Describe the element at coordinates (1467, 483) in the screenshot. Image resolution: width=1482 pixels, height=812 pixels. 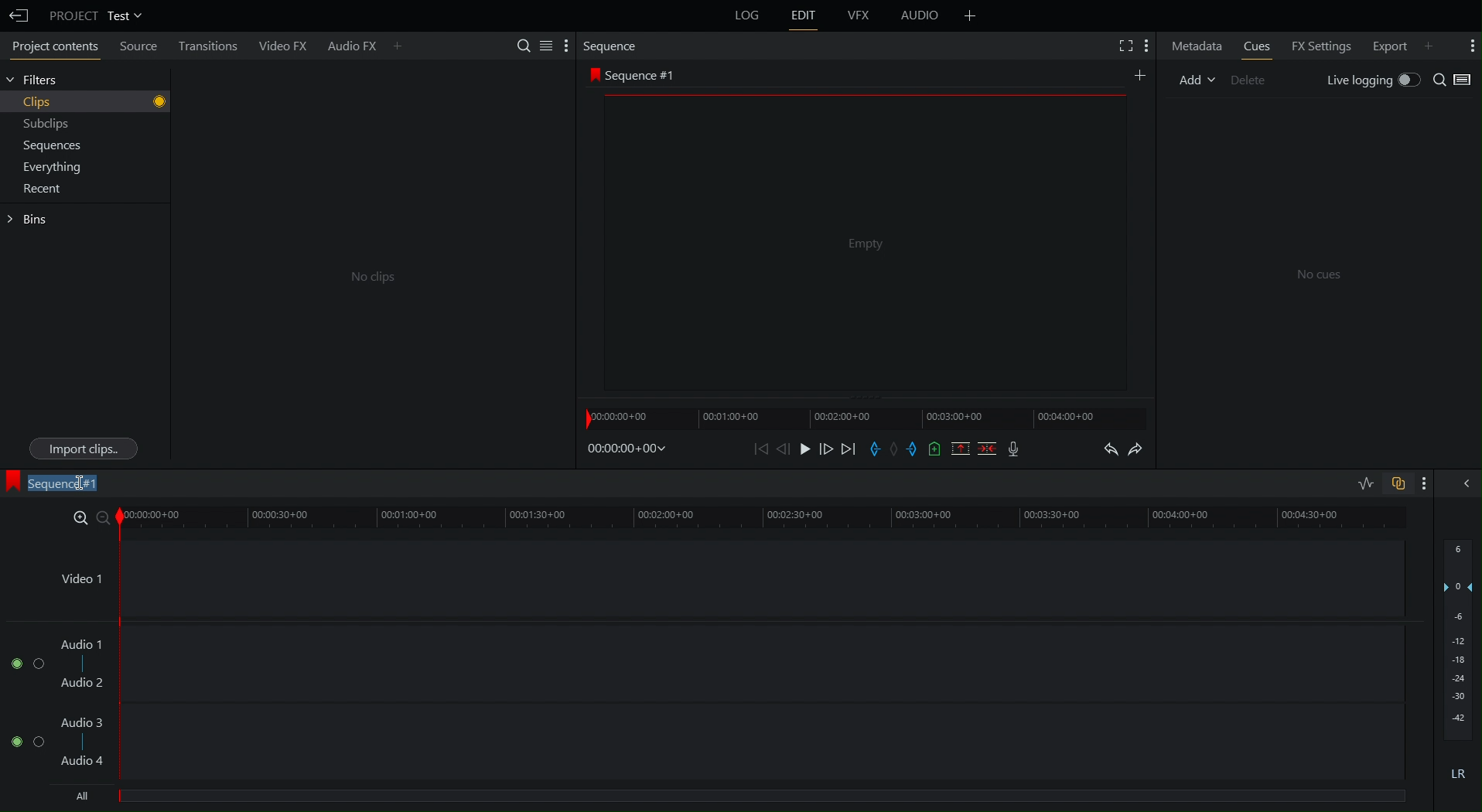
I see `Show/hide audio mix` at that location.